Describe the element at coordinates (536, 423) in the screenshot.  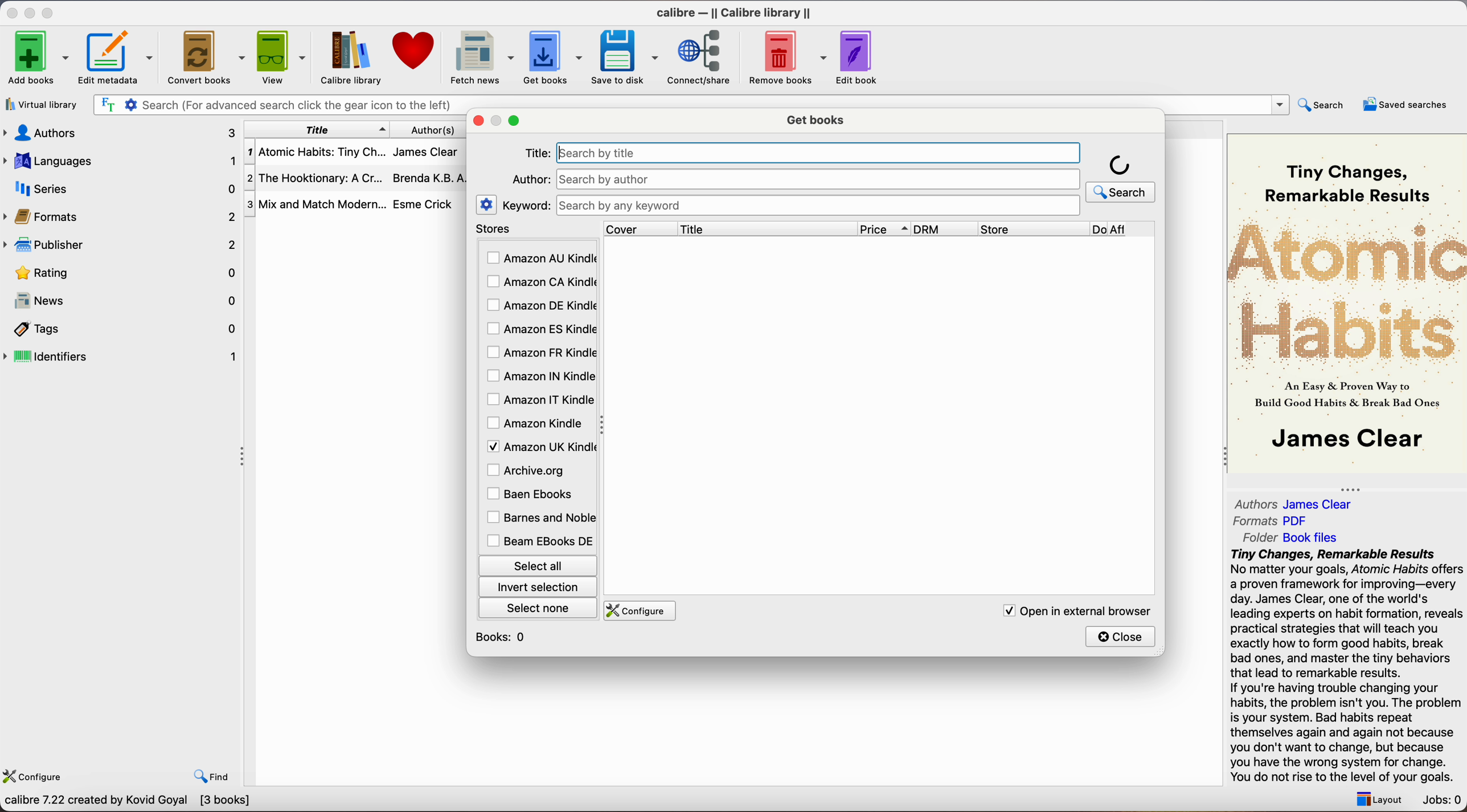
I see `Amazon Kindle` at that location.